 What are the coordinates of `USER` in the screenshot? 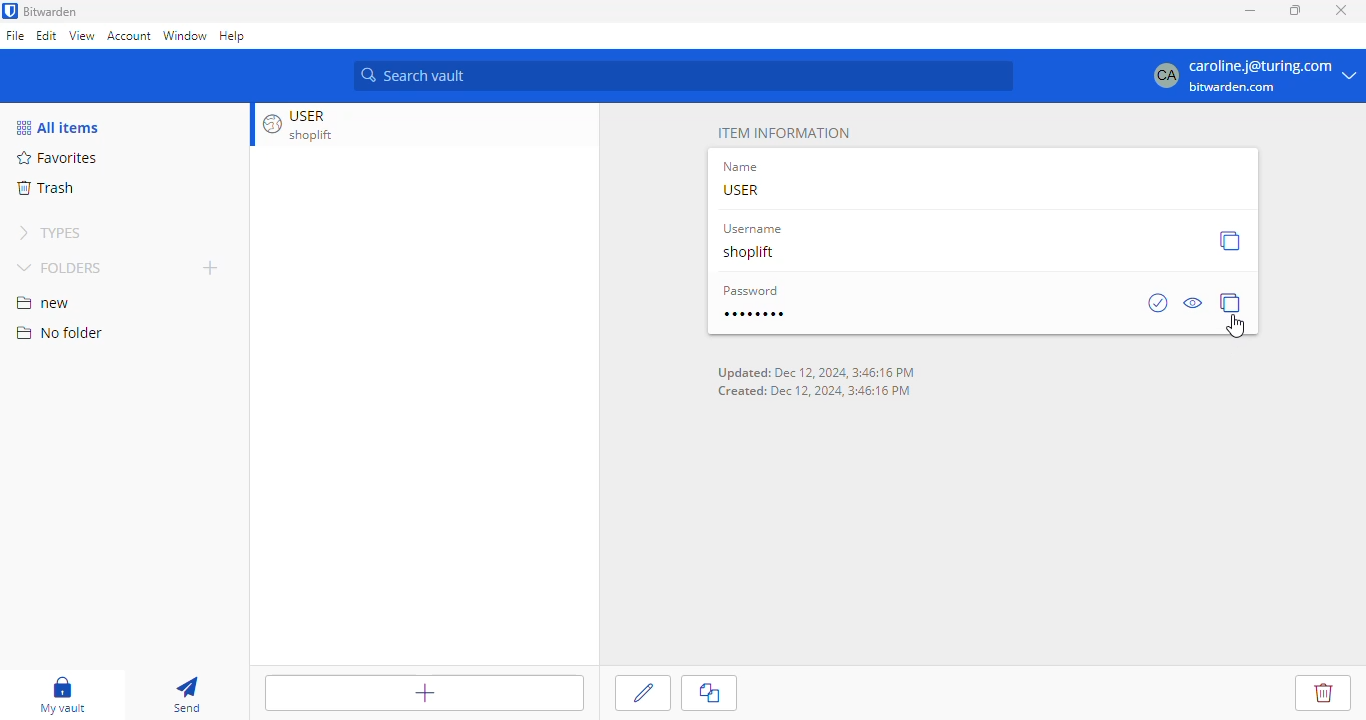 It's located at (742, 190).